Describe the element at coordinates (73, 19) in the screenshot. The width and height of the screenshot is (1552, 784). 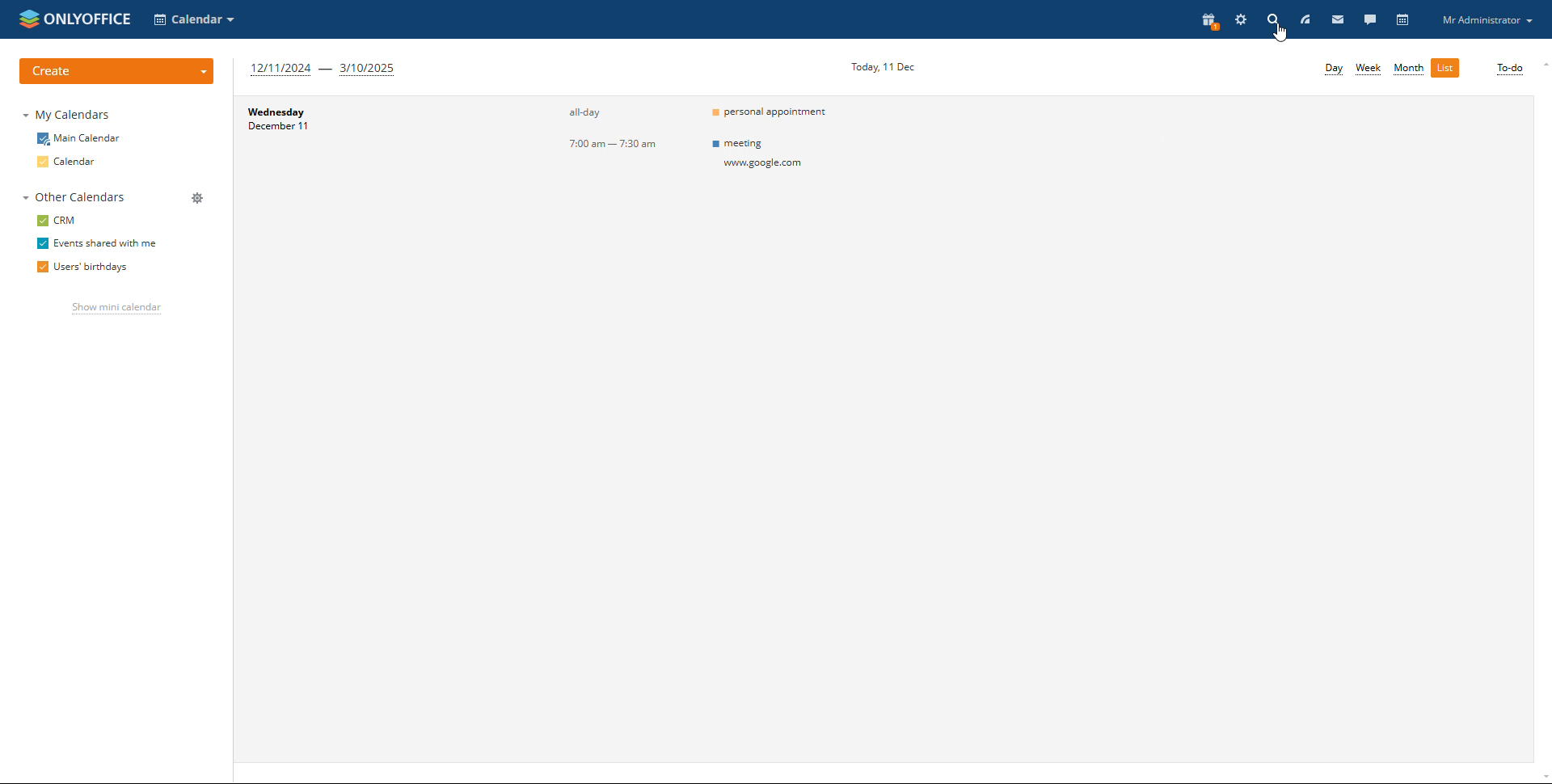
I see `Only office logo` at that location.